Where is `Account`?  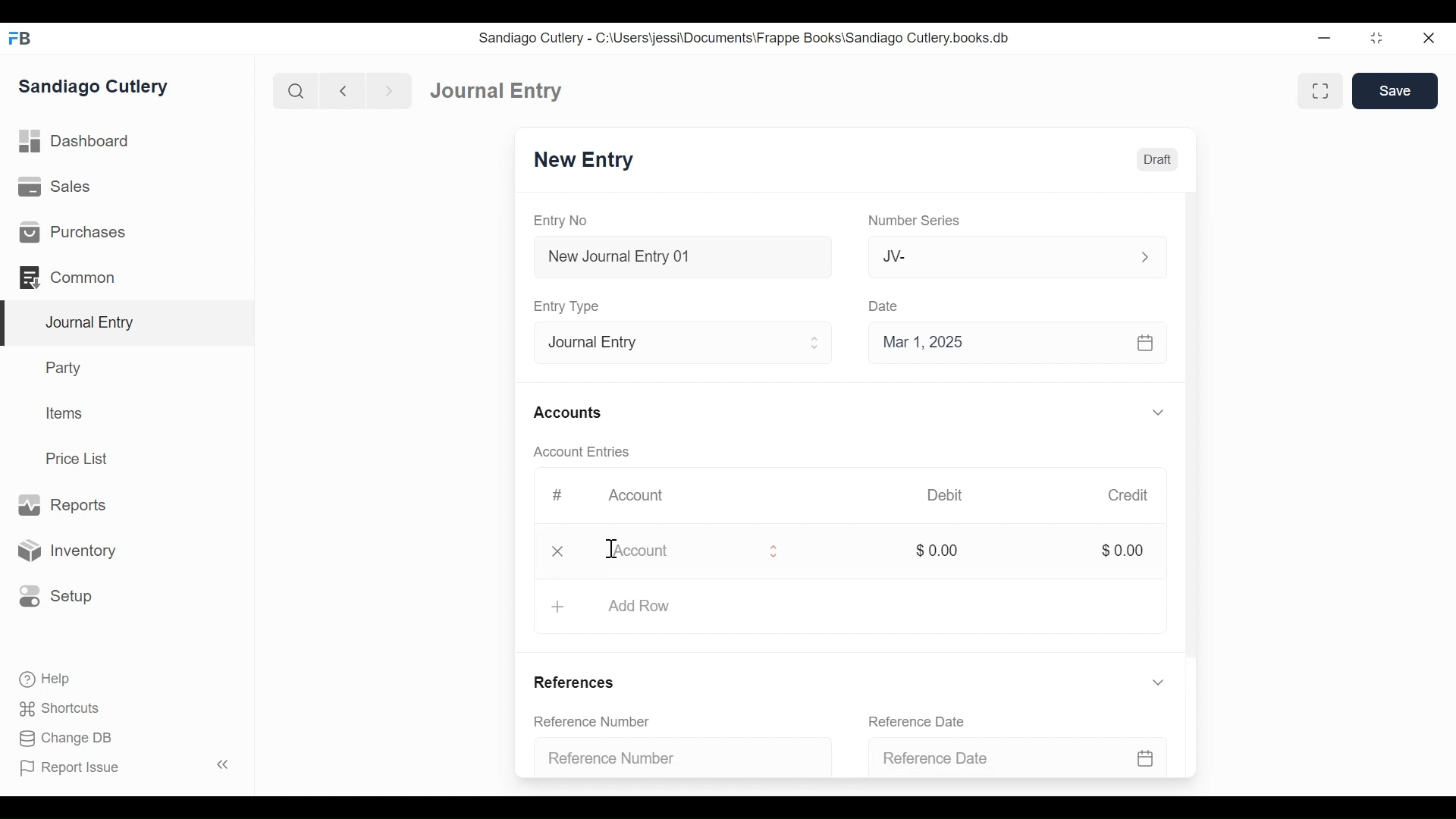
Account is located at coordinates (635, 496).